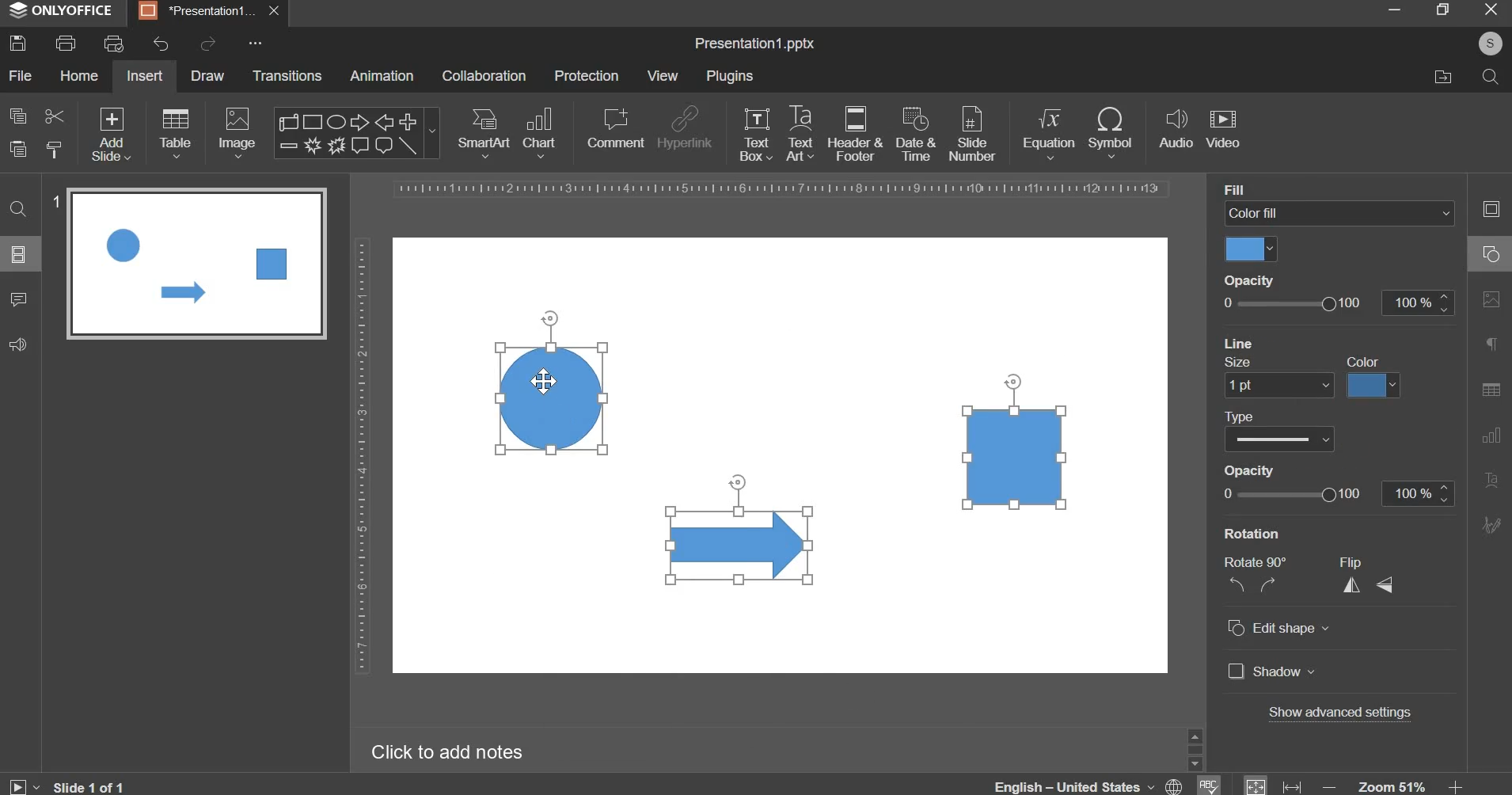 This screenshot has width=1512, height=795. I want to click on symbol, so click(1110, 131).